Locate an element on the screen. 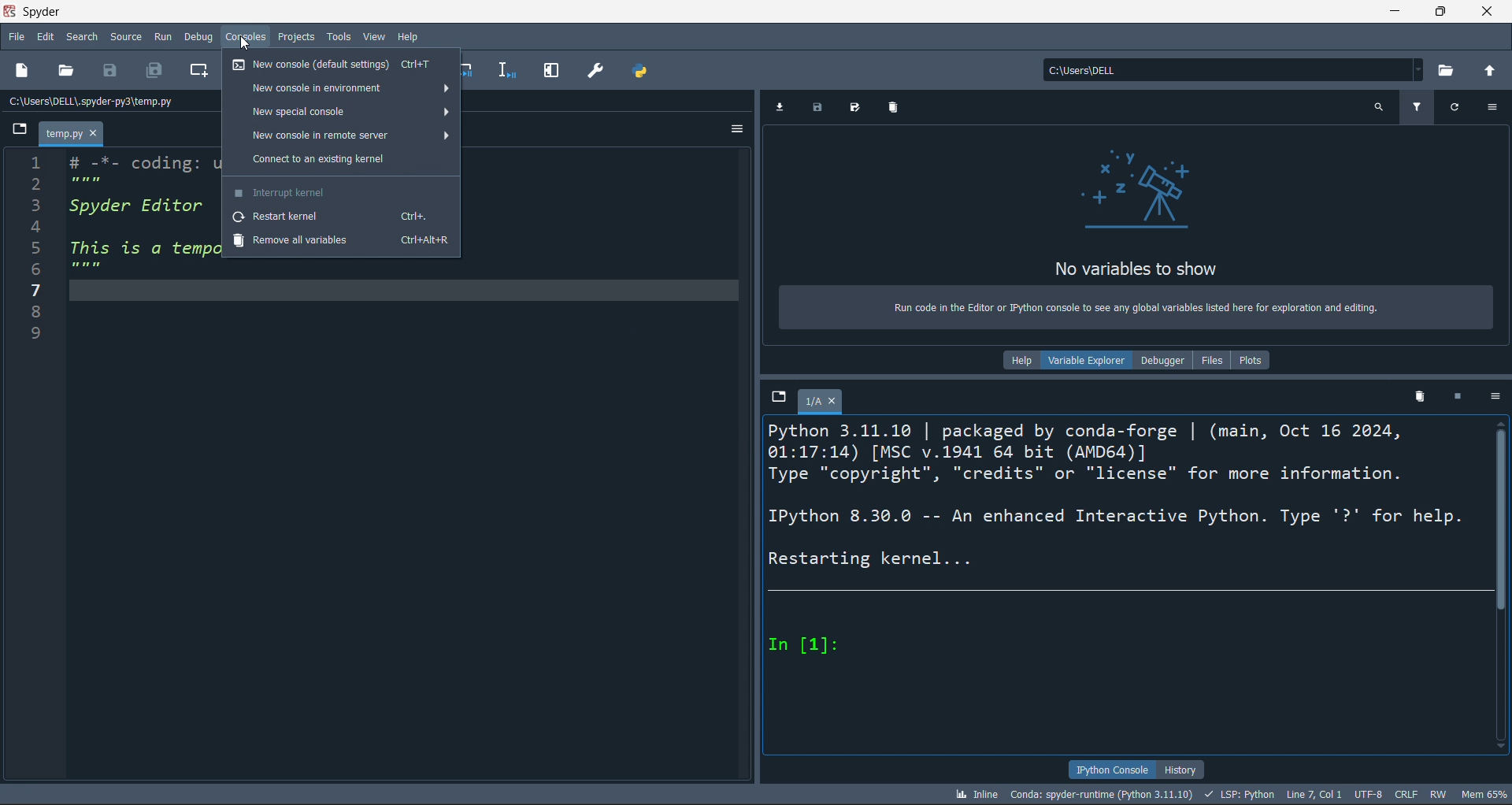 The image size is (1512, 805). close is located at coordinates (1485, 12).